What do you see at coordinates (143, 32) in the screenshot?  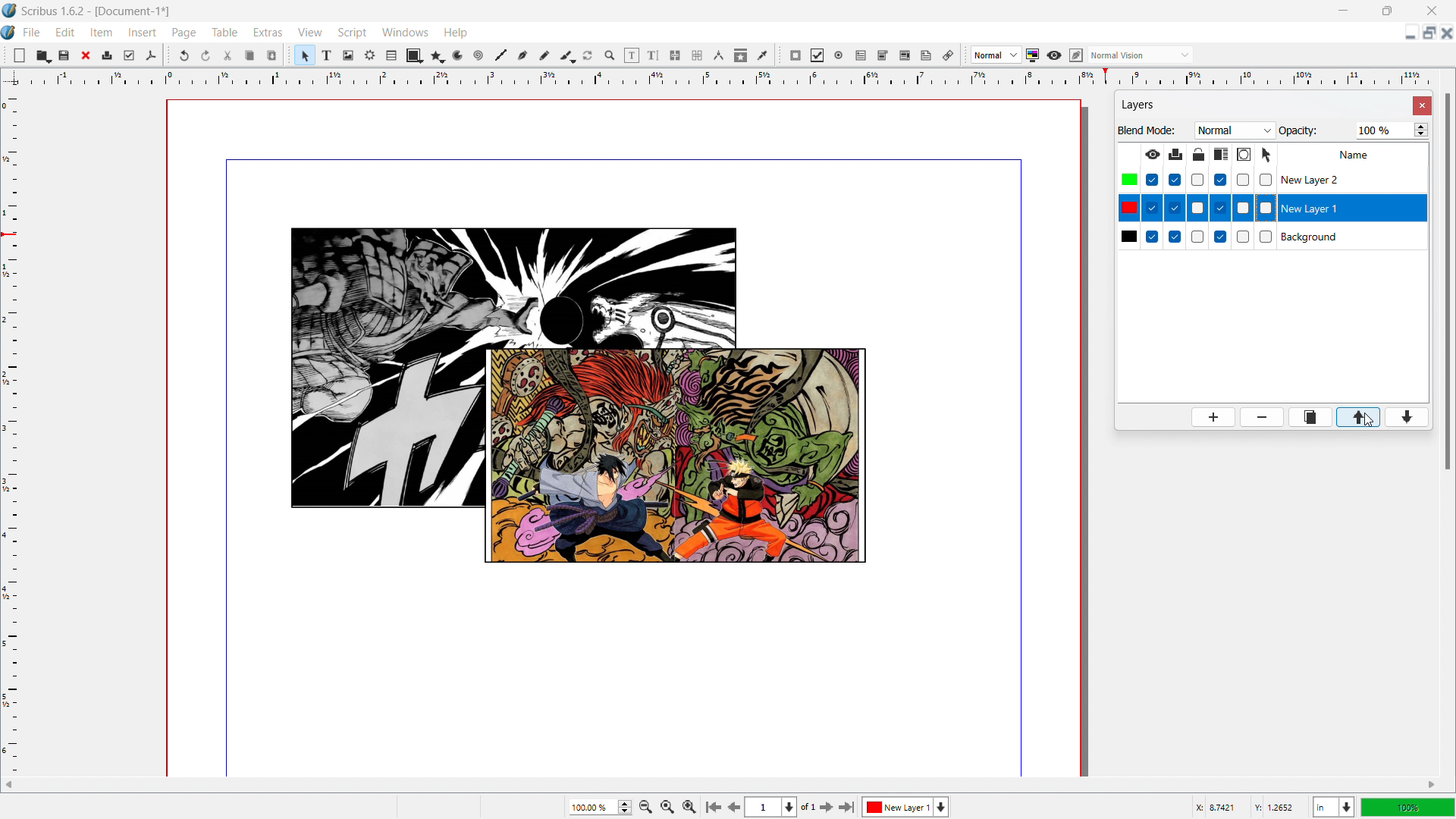 I see `insert` at bounding box center [143, 32].